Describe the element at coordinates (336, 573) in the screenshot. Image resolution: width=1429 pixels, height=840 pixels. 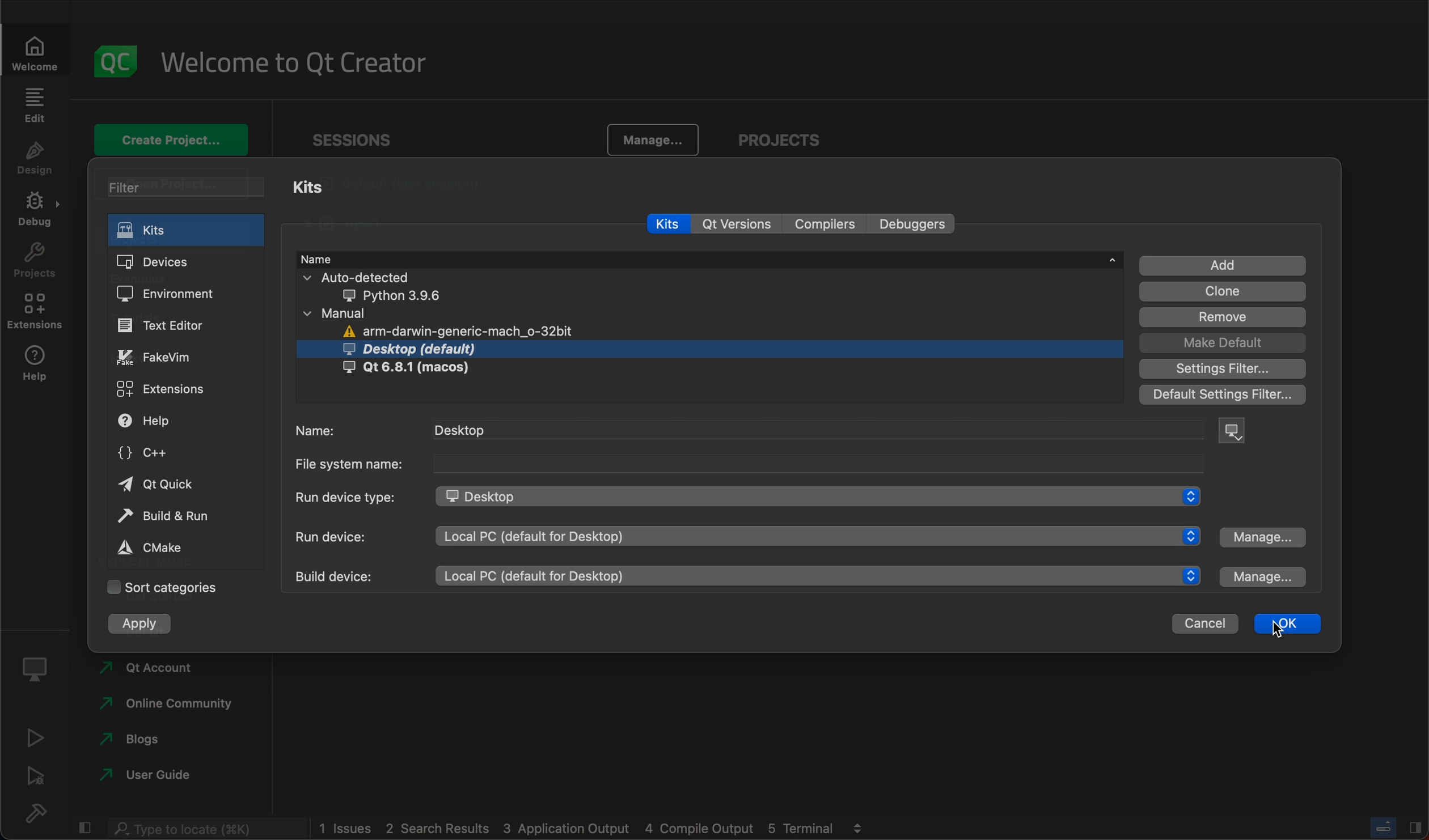
I see `build device:` at that location.